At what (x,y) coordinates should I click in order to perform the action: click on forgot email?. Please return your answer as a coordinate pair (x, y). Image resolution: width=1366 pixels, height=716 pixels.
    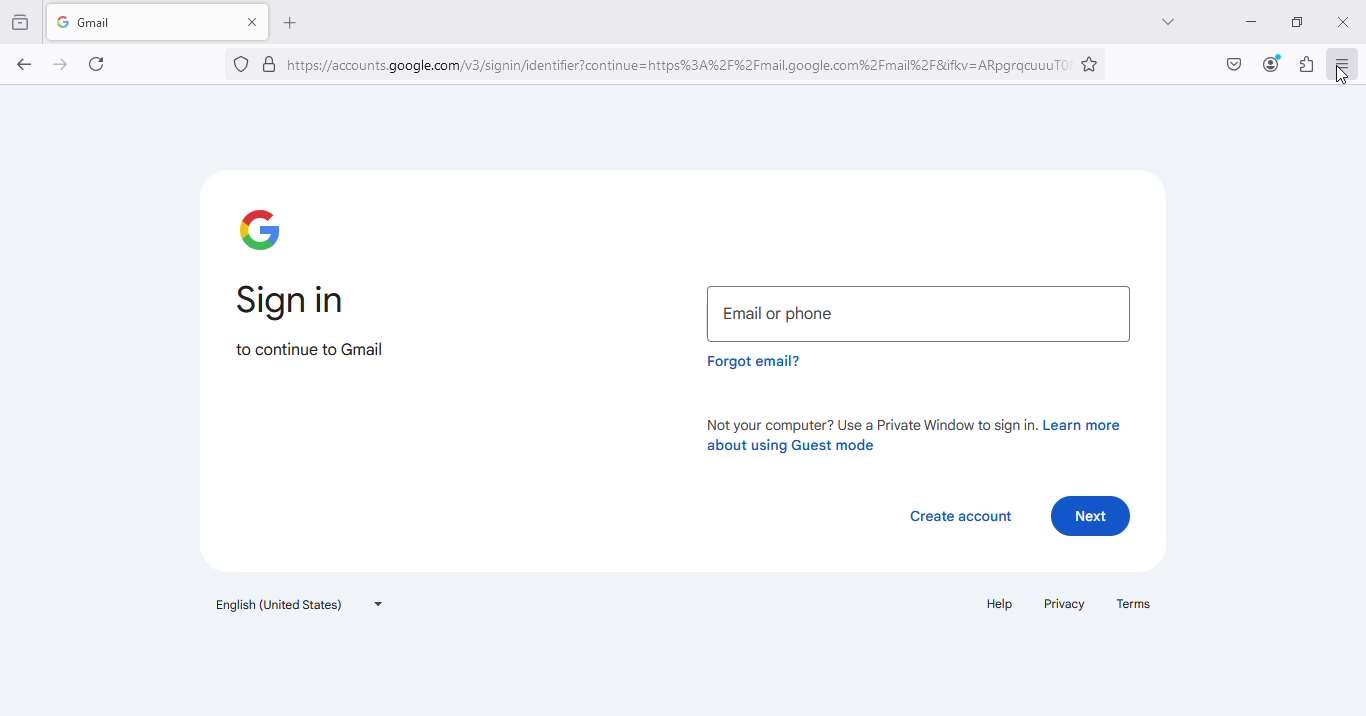
    Looking at the image, I should click on (755, 361).